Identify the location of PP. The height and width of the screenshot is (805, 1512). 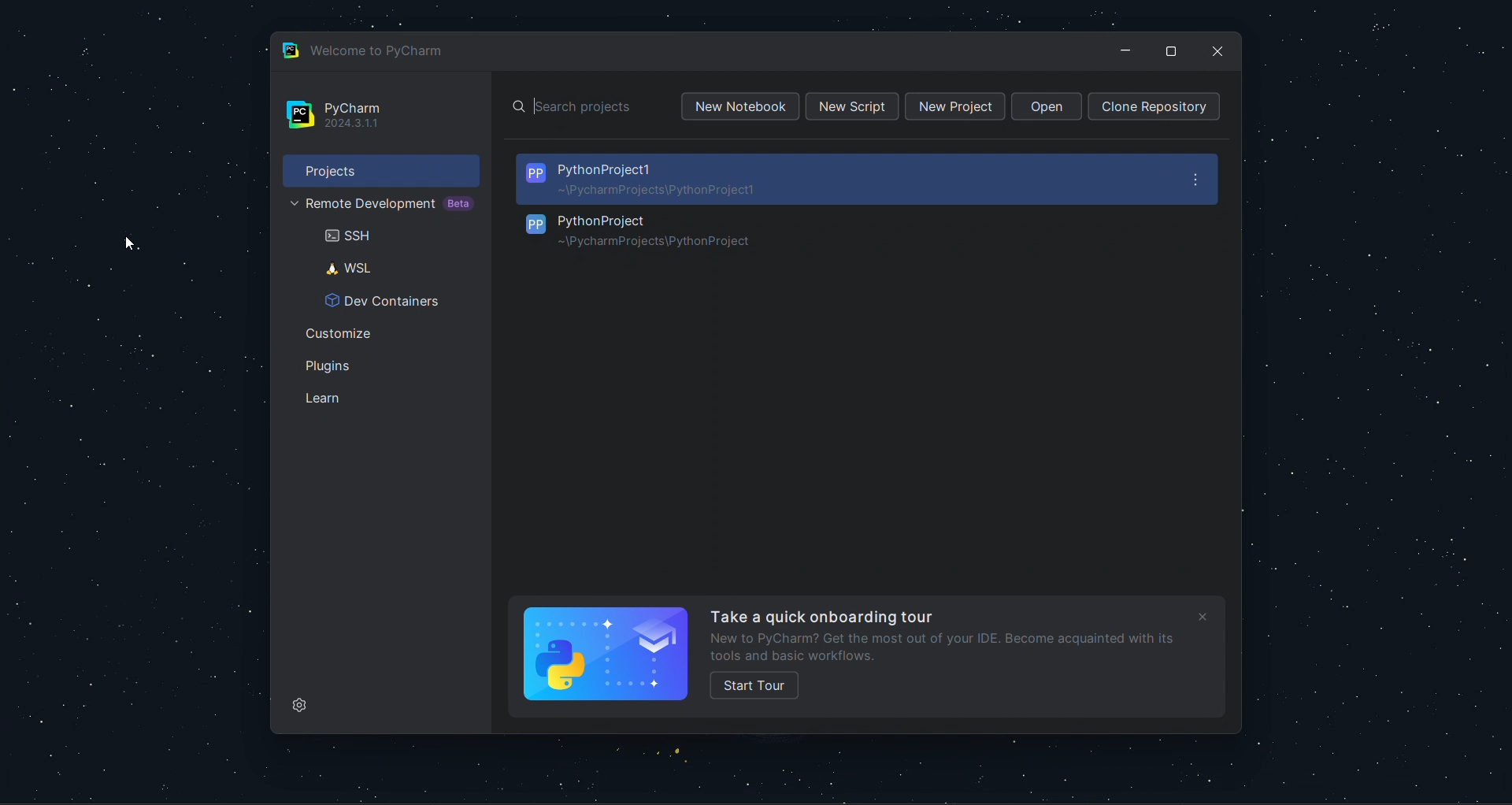
(535, 224).